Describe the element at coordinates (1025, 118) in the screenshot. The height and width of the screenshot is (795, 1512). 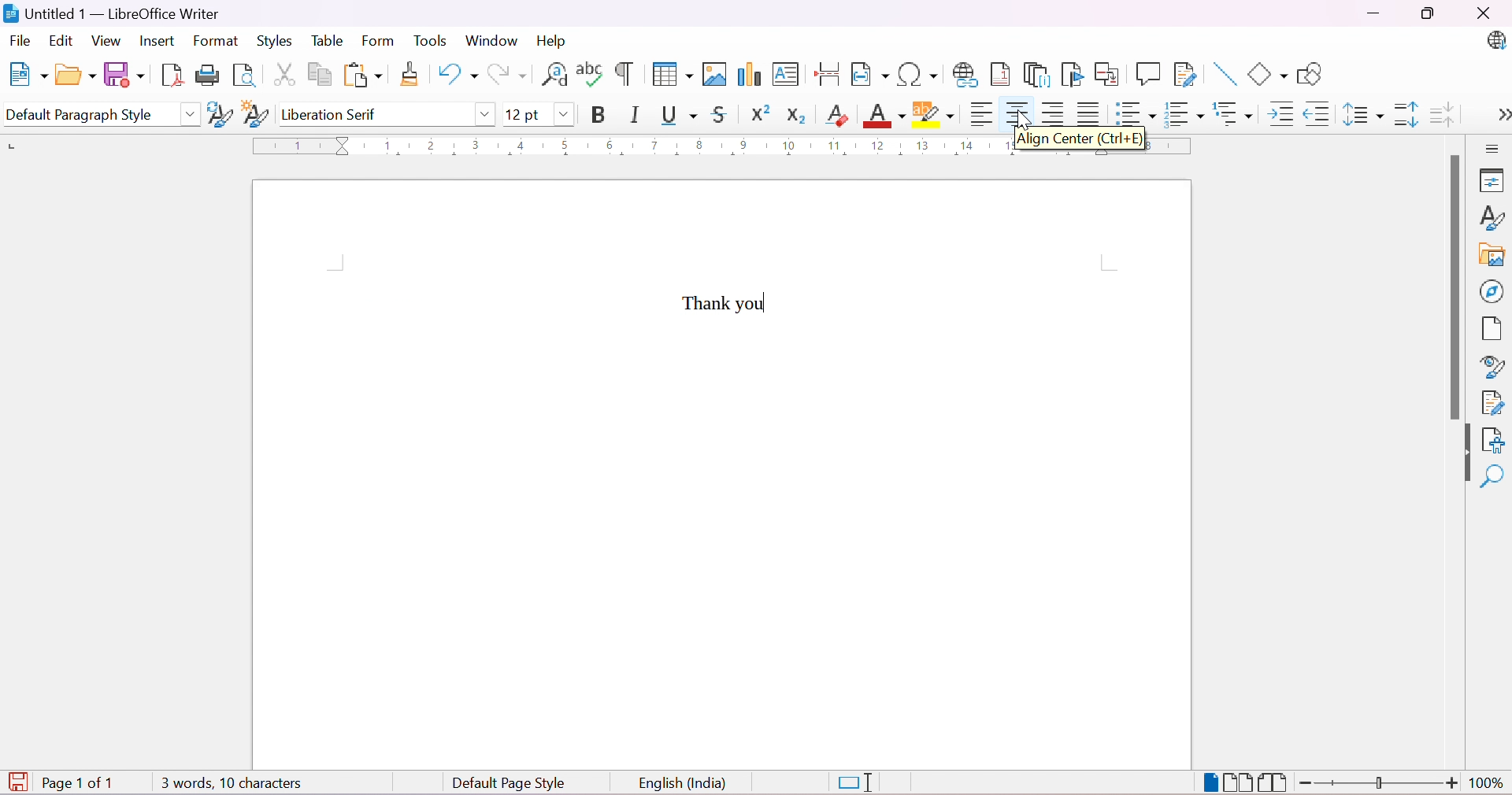
I see `Cursor` at that location.